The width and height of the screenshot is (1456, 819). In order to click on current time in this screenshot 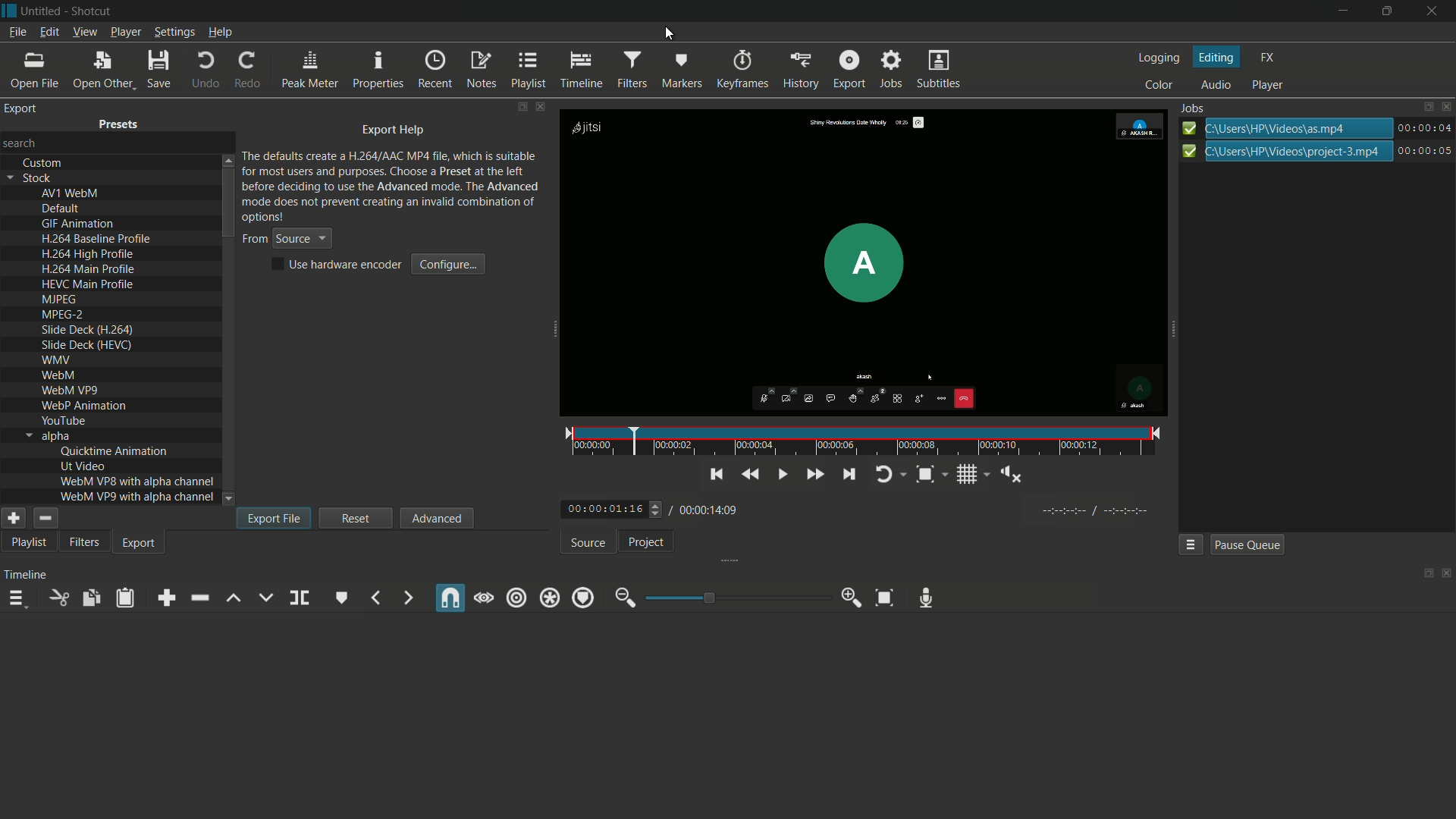, I will do `click(608, 509)`.